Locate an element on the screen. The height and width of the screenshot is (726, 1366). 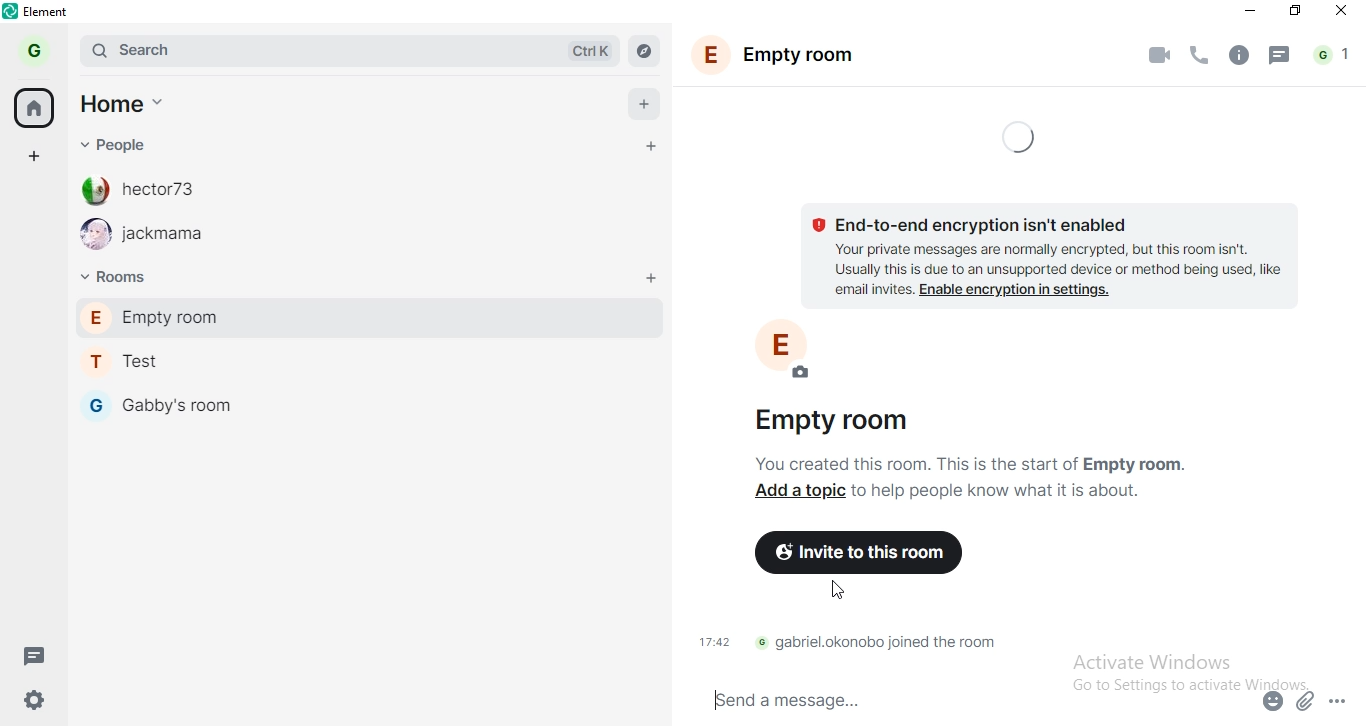
add is located at coordinates (643, 103).